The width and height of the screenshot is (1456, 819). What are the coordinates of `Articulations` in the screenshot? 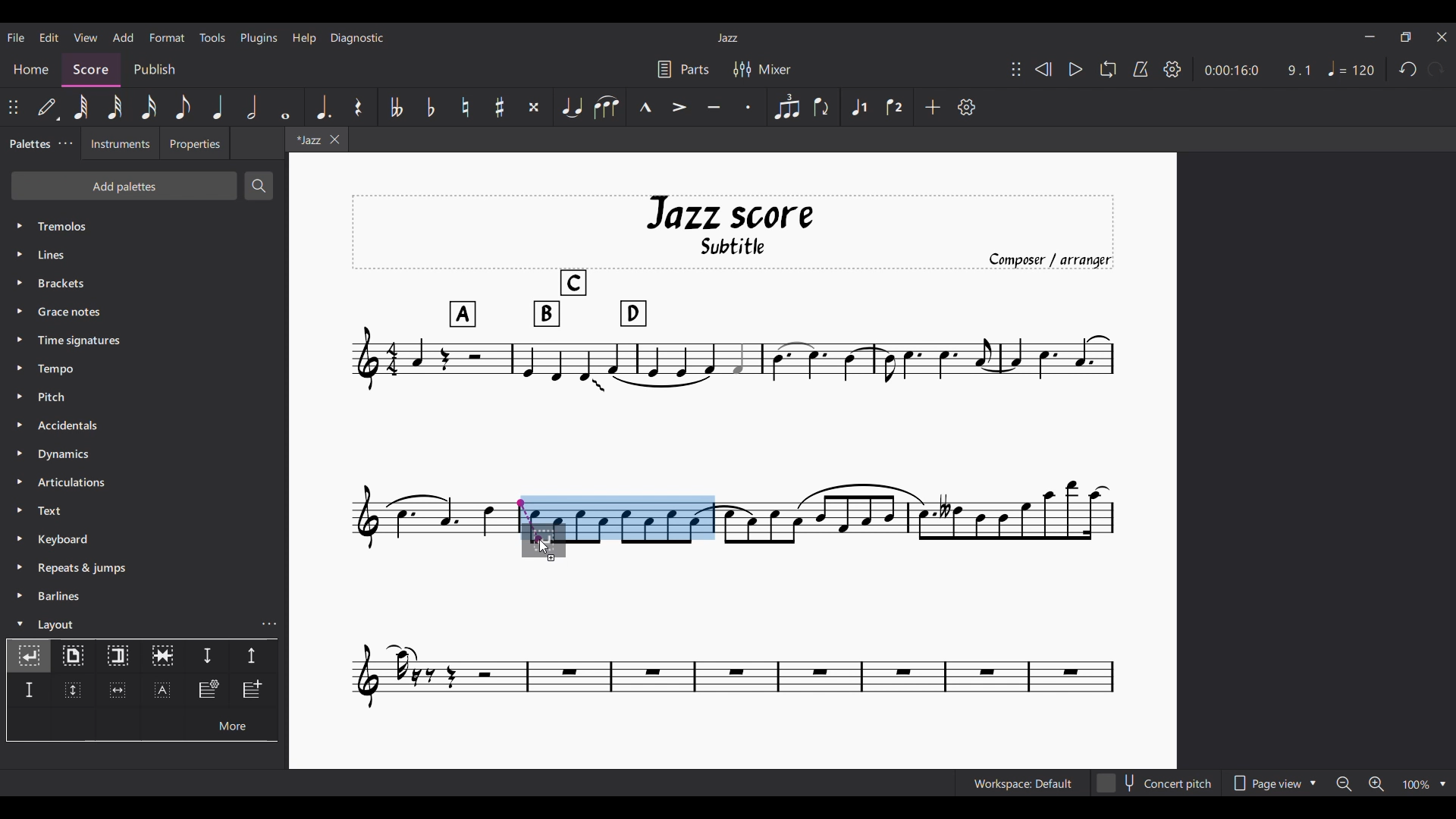 It's located at (144, 482).